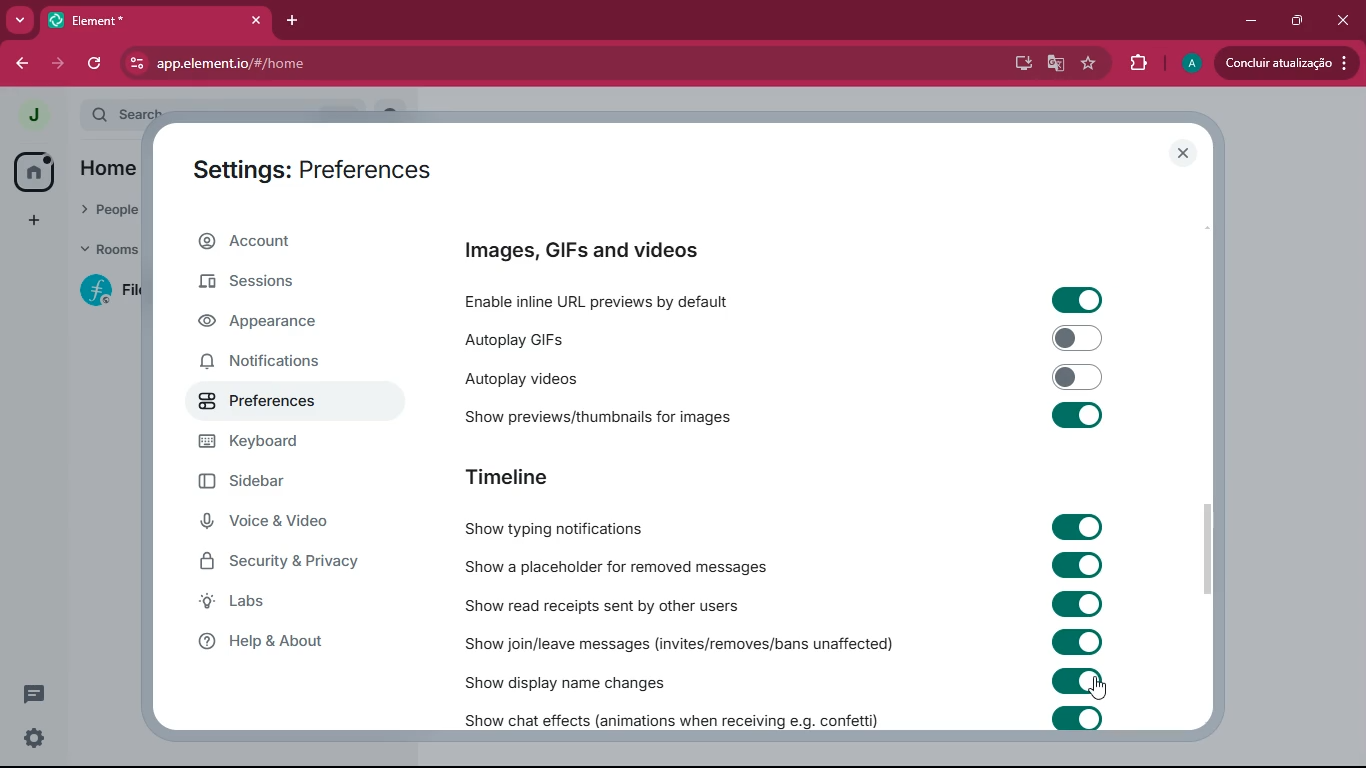 Image resolution: width=1366 pixels, height=768 pixels. What do you see at coordinates (36, 219) in the screenshot?
I see `more` at bounding box center [36, 219].